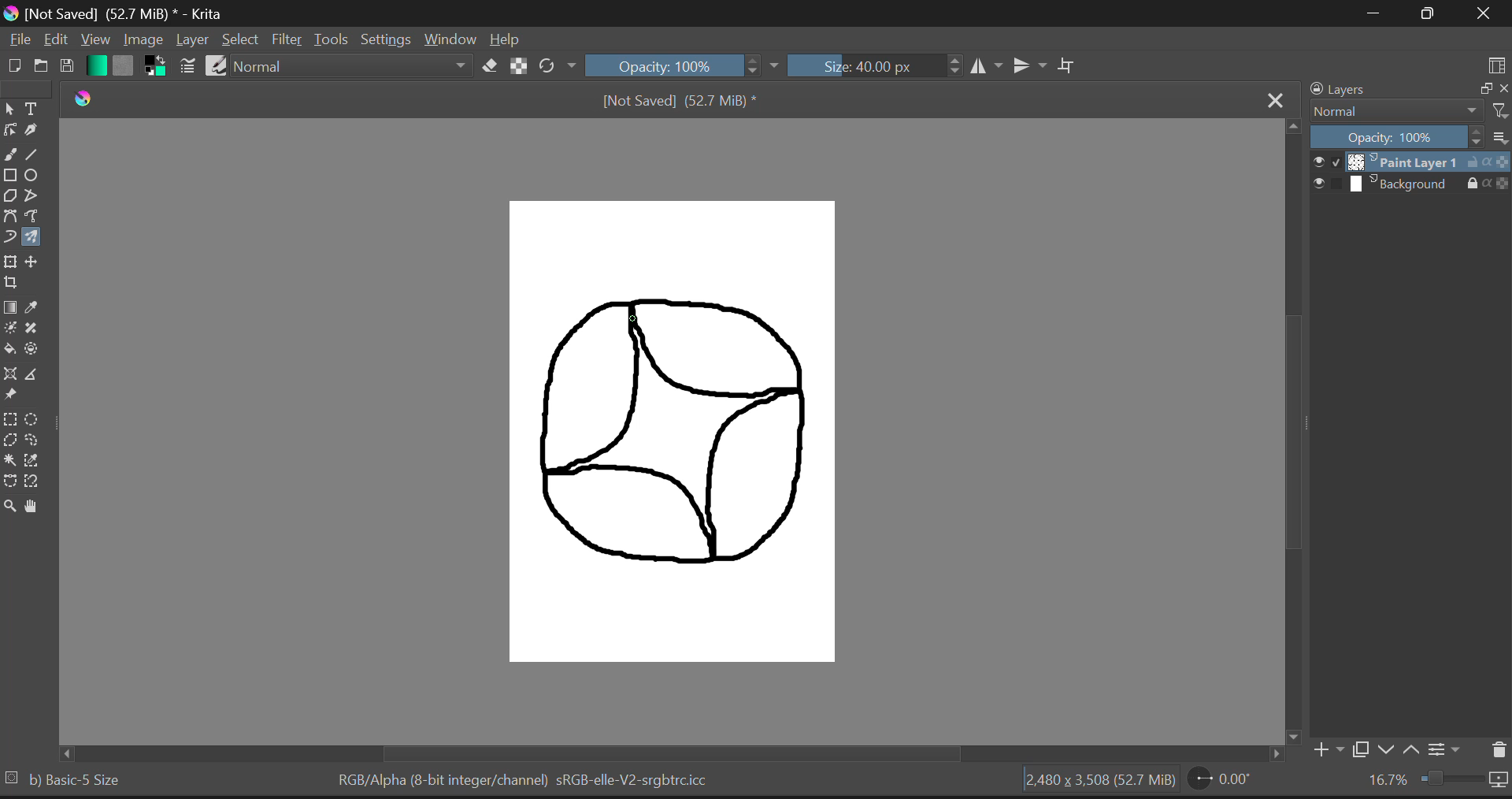 The image size is (1512, 799). I want to click on Select, so click(240, 40).